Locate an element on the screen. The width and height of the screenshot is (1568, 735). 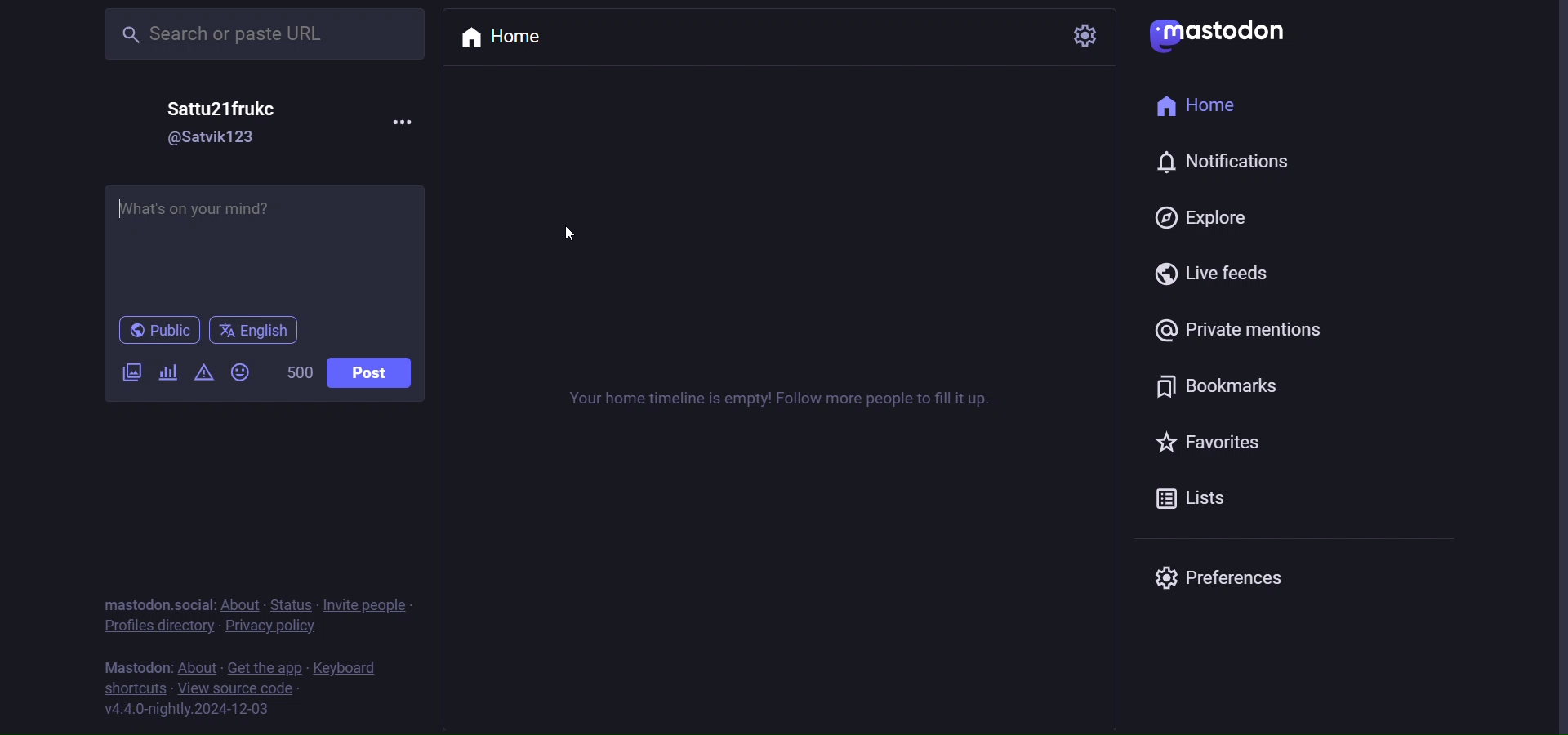
profiles is located at coordinates (159, 626).